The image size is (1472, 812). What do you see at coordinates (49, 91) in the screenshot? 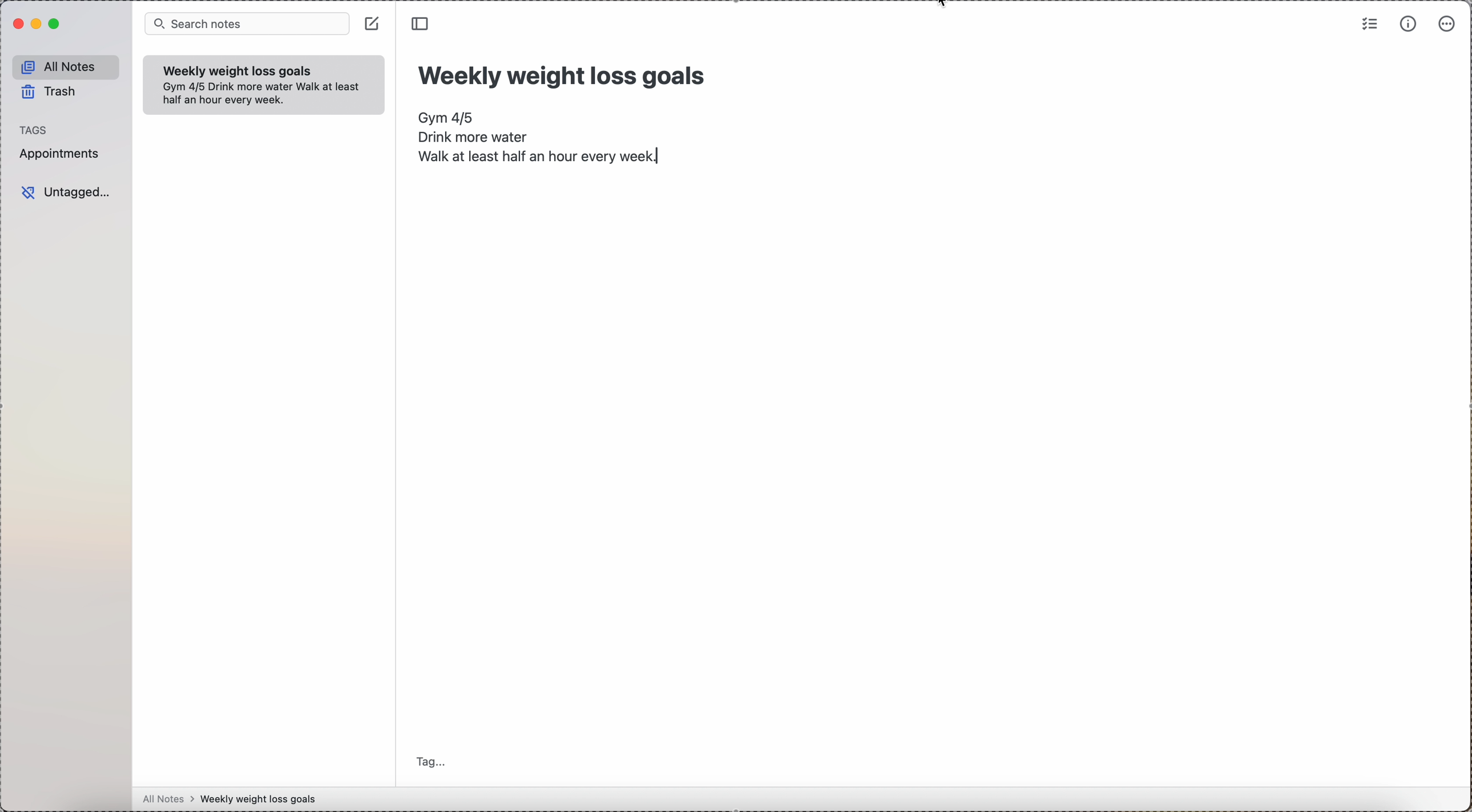
I see `trash` at bounding box center [49, 91].